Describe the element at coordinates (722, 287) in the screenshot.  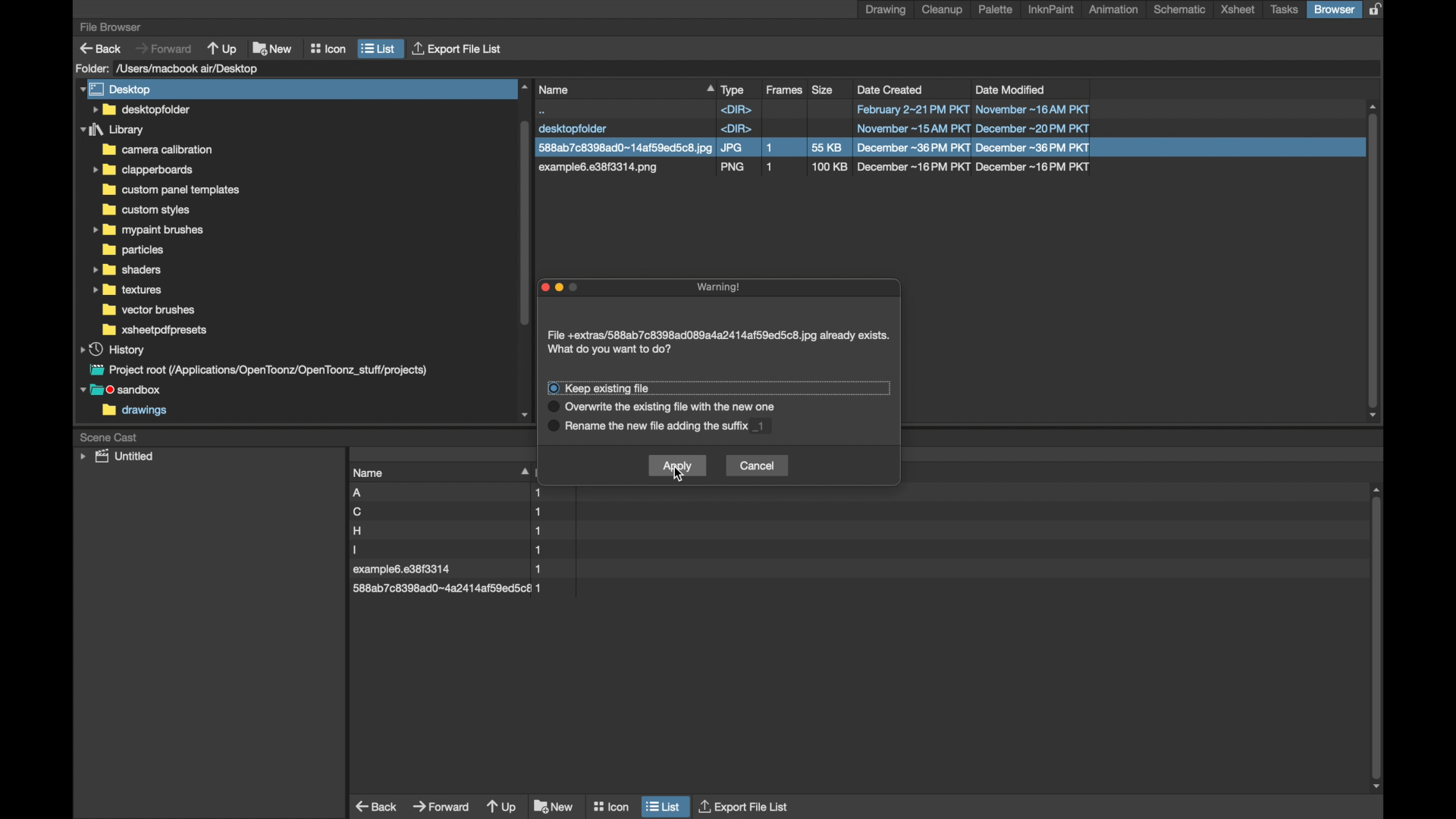
I see `warning` at that location.